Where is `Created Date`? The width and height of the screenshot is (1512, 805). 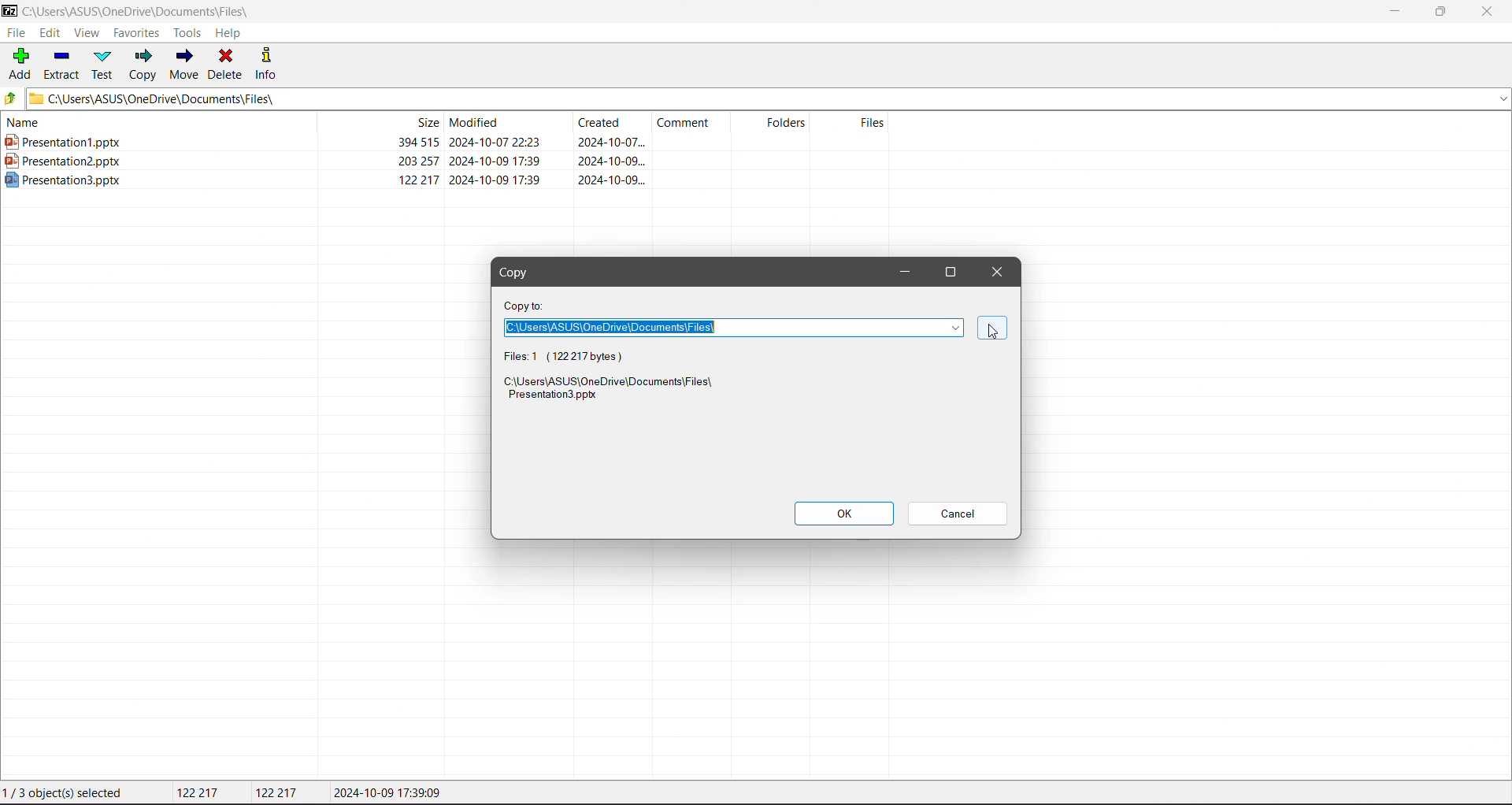
Created Date is located at coordinates (613, 124).